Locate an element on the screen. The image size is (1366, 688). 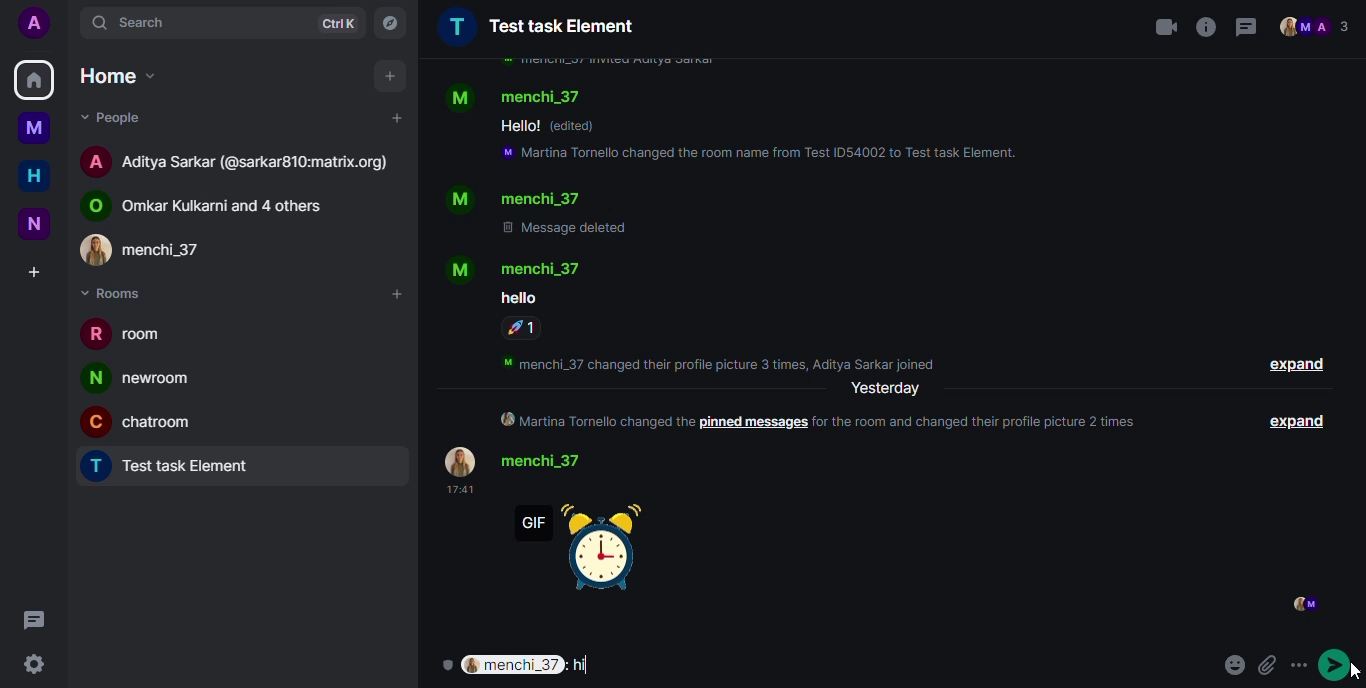
text is located at coordinates (518, 297).